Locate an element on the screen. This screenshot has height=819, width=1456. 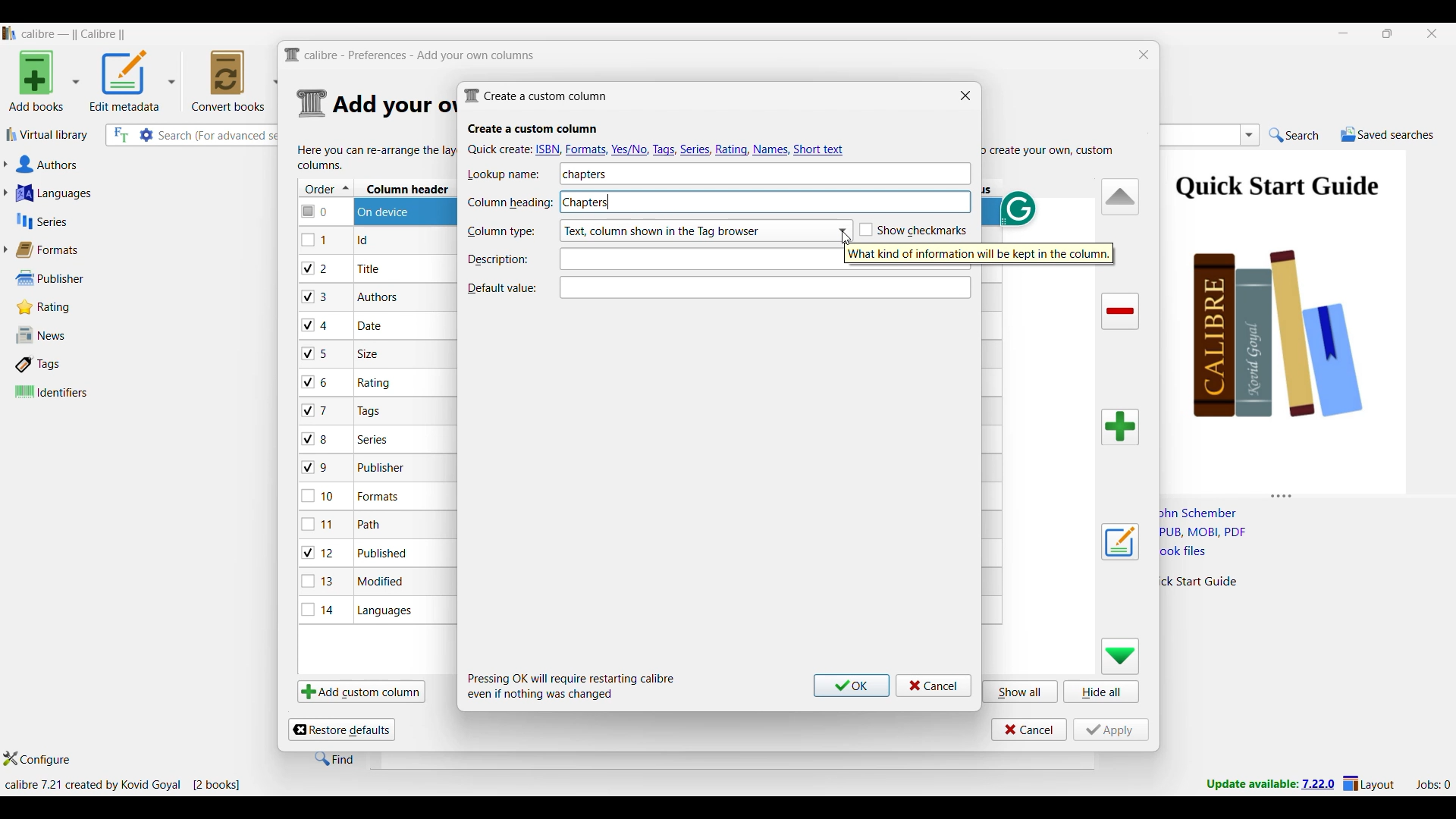
checkbox - 4 is located at coordinates (315, 325).